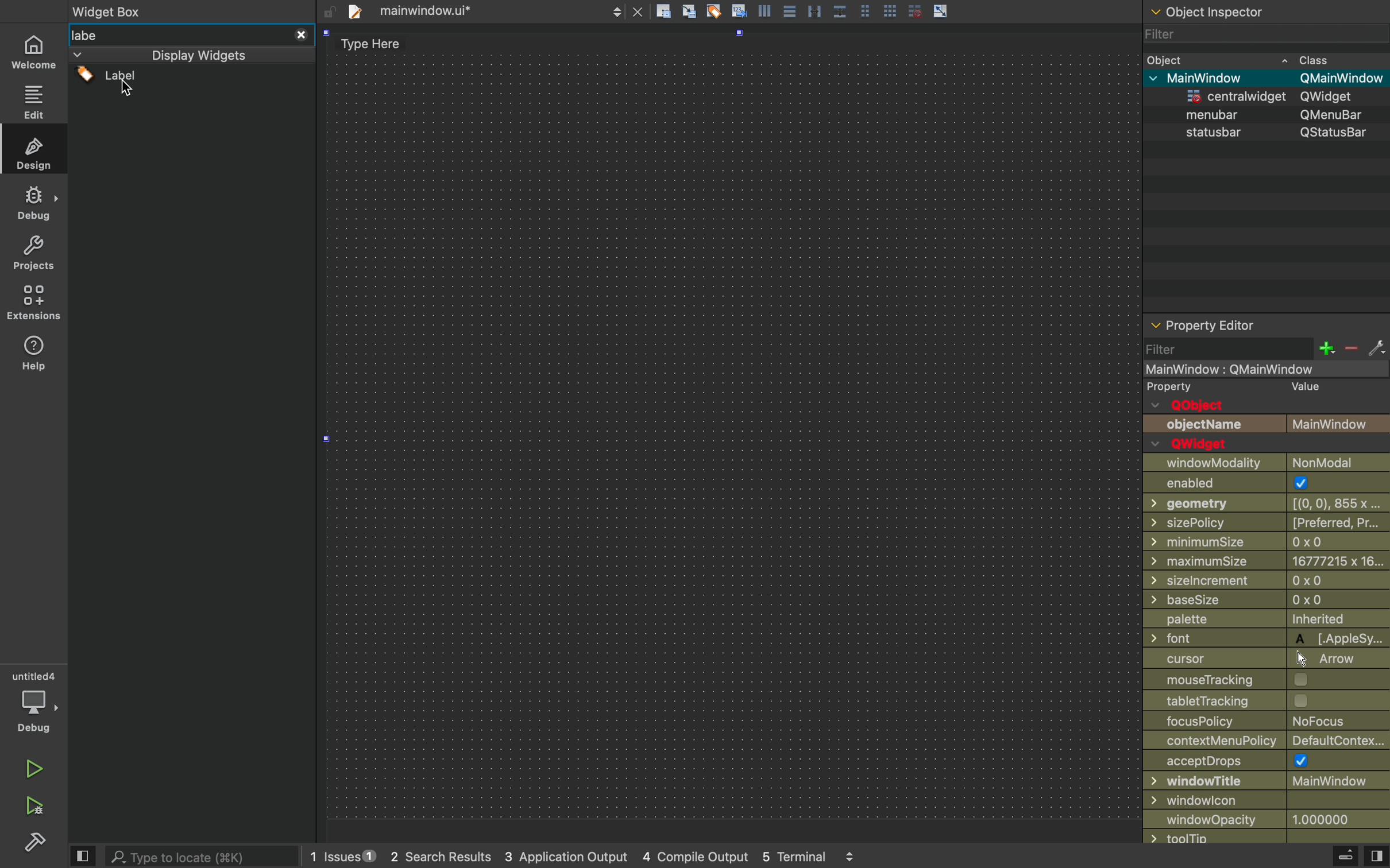 The height and width of the screenshot is (868, 1390). I want to click on grid, so click(914, 11).